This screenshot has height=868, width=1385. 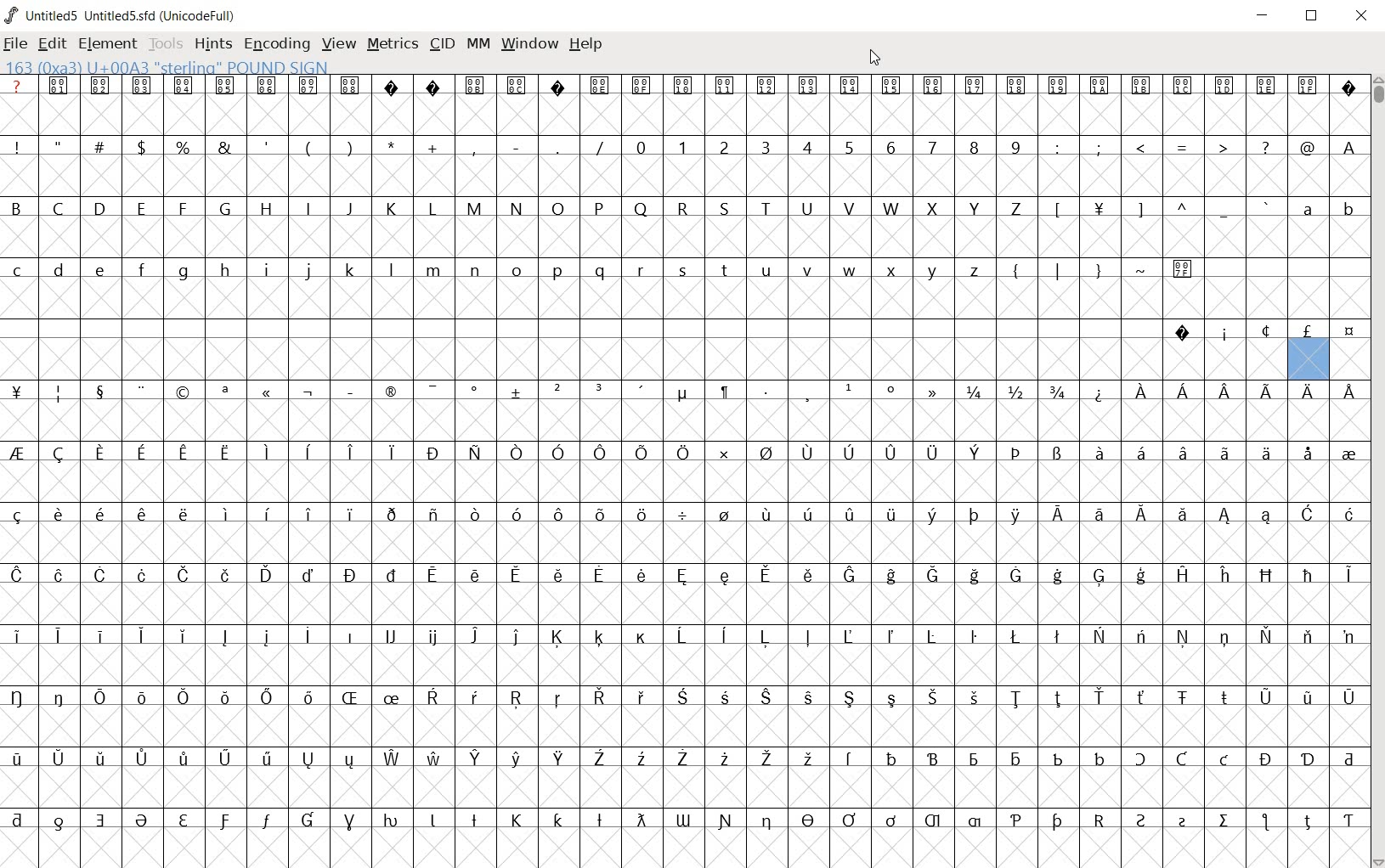 What do you see at coordinates (766, 640) in the screenshot?
I see `Symbol` at bounding box center [766, 640].